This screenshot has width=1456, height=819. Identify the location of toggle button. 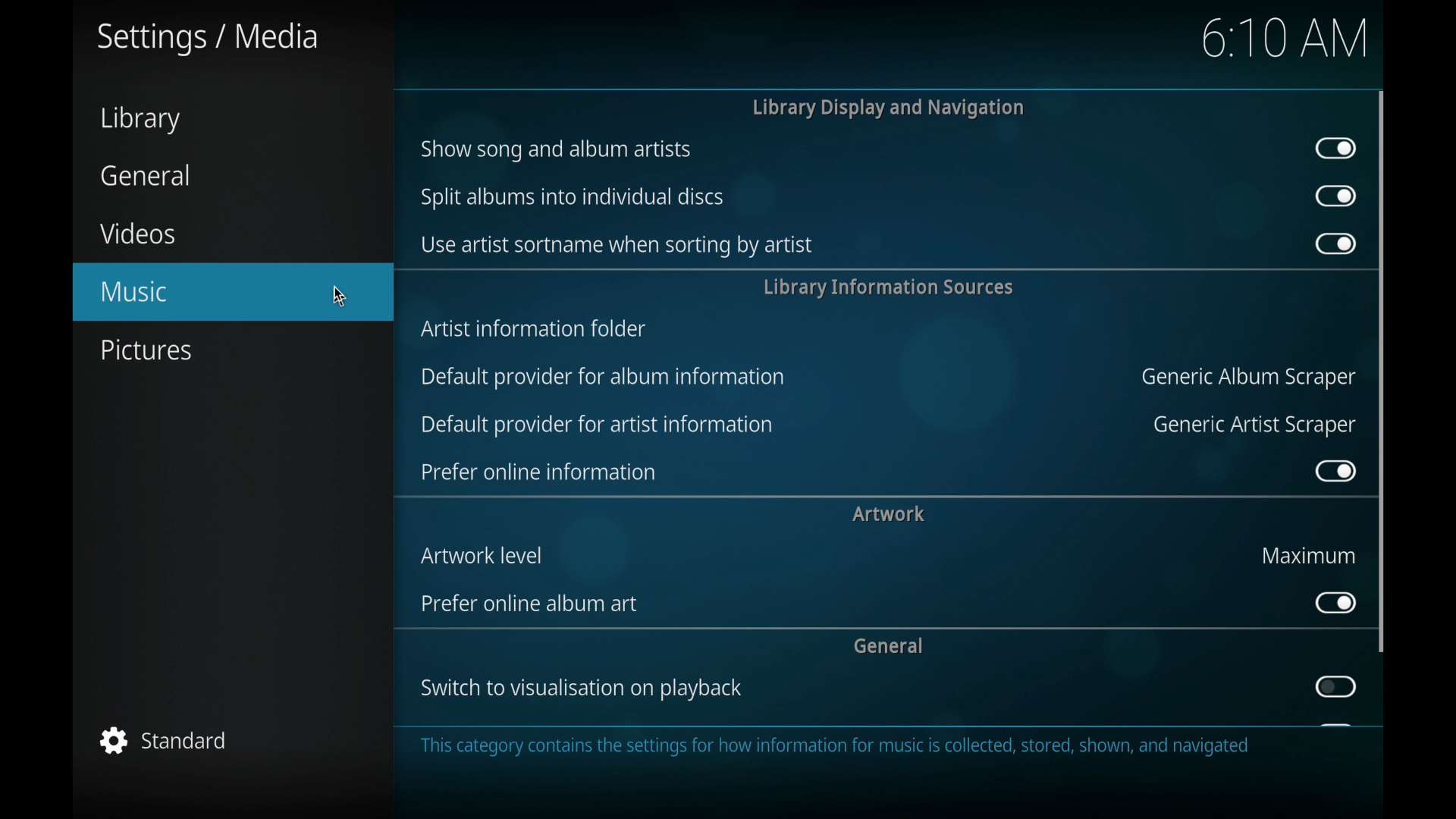
(1336, 149).